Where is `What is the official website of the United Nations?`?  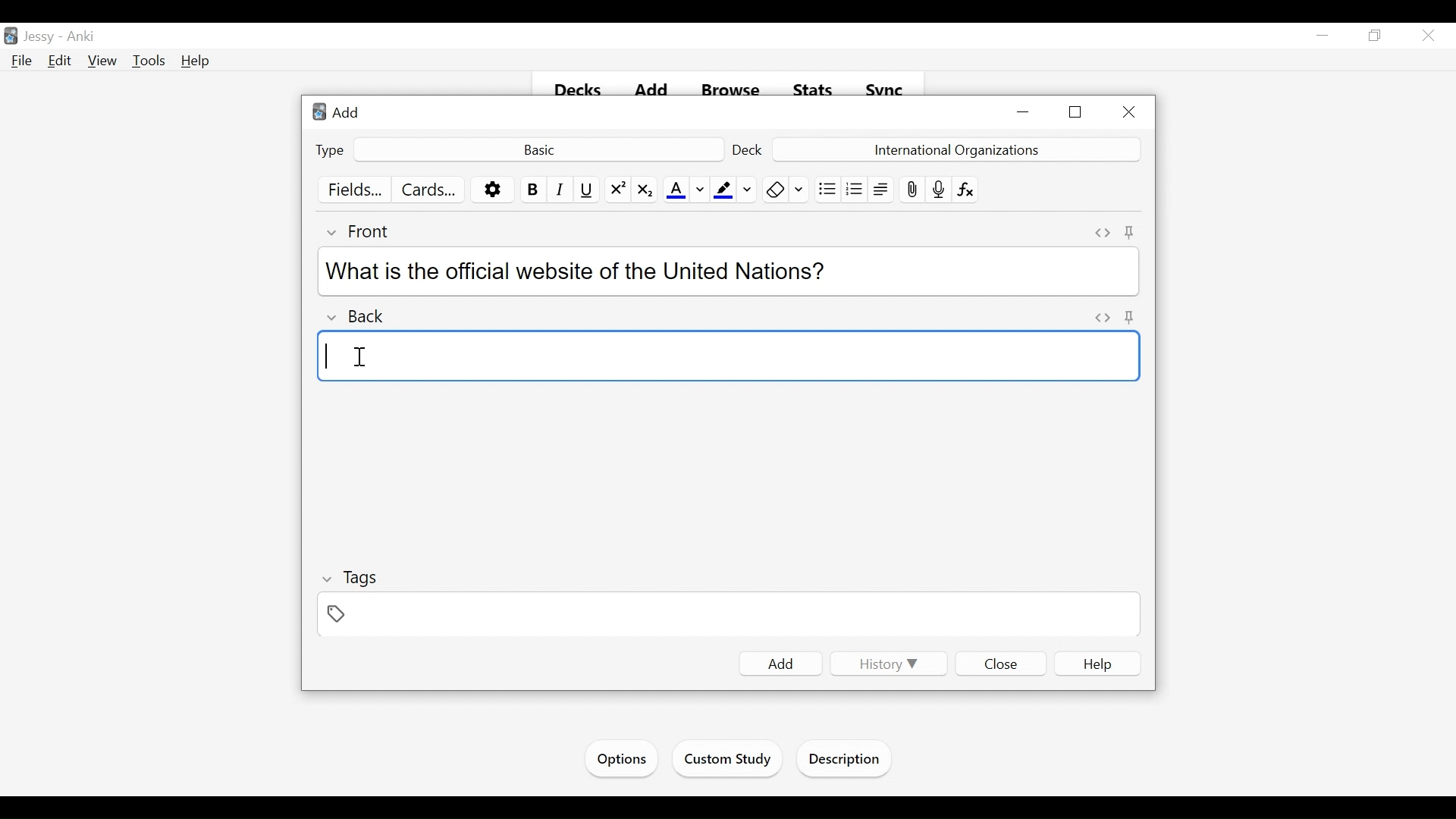
What is the official website of the United Nations? is located at coordinates (727, 271).